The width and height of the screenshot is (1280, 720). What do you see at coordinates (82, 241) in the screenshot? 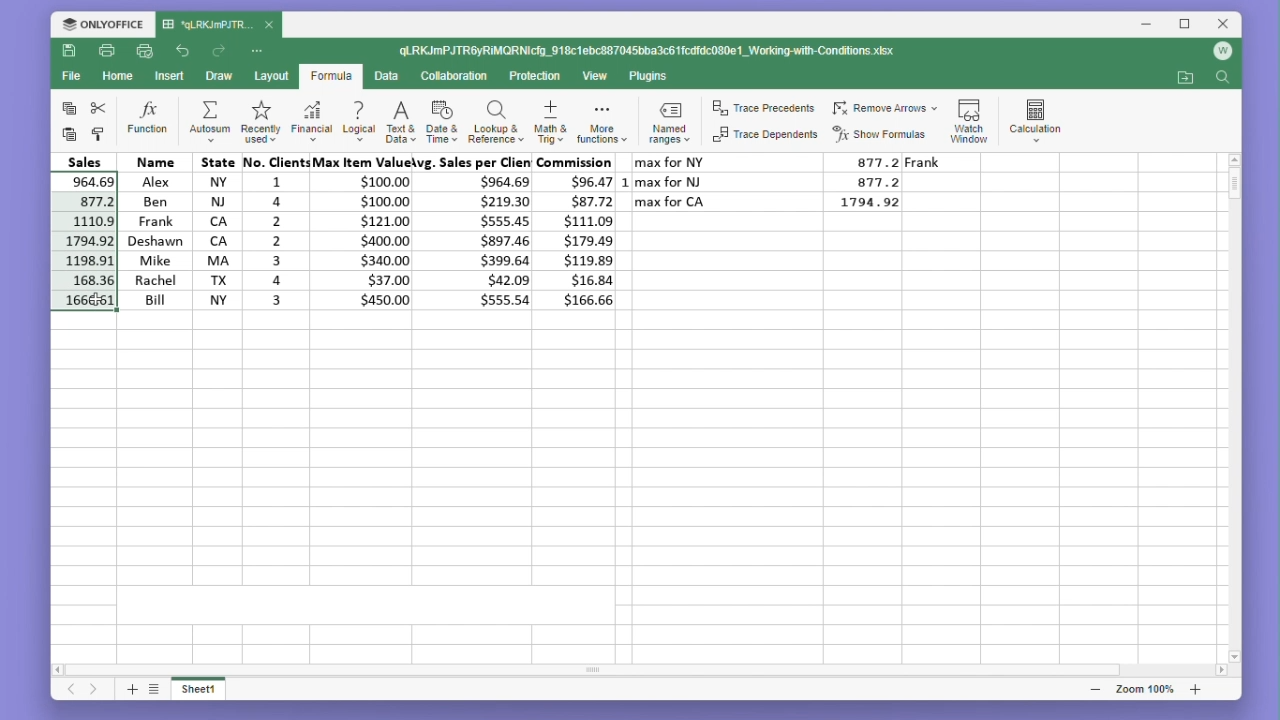
I see `Selected cells` at bounding box center [82, 241].